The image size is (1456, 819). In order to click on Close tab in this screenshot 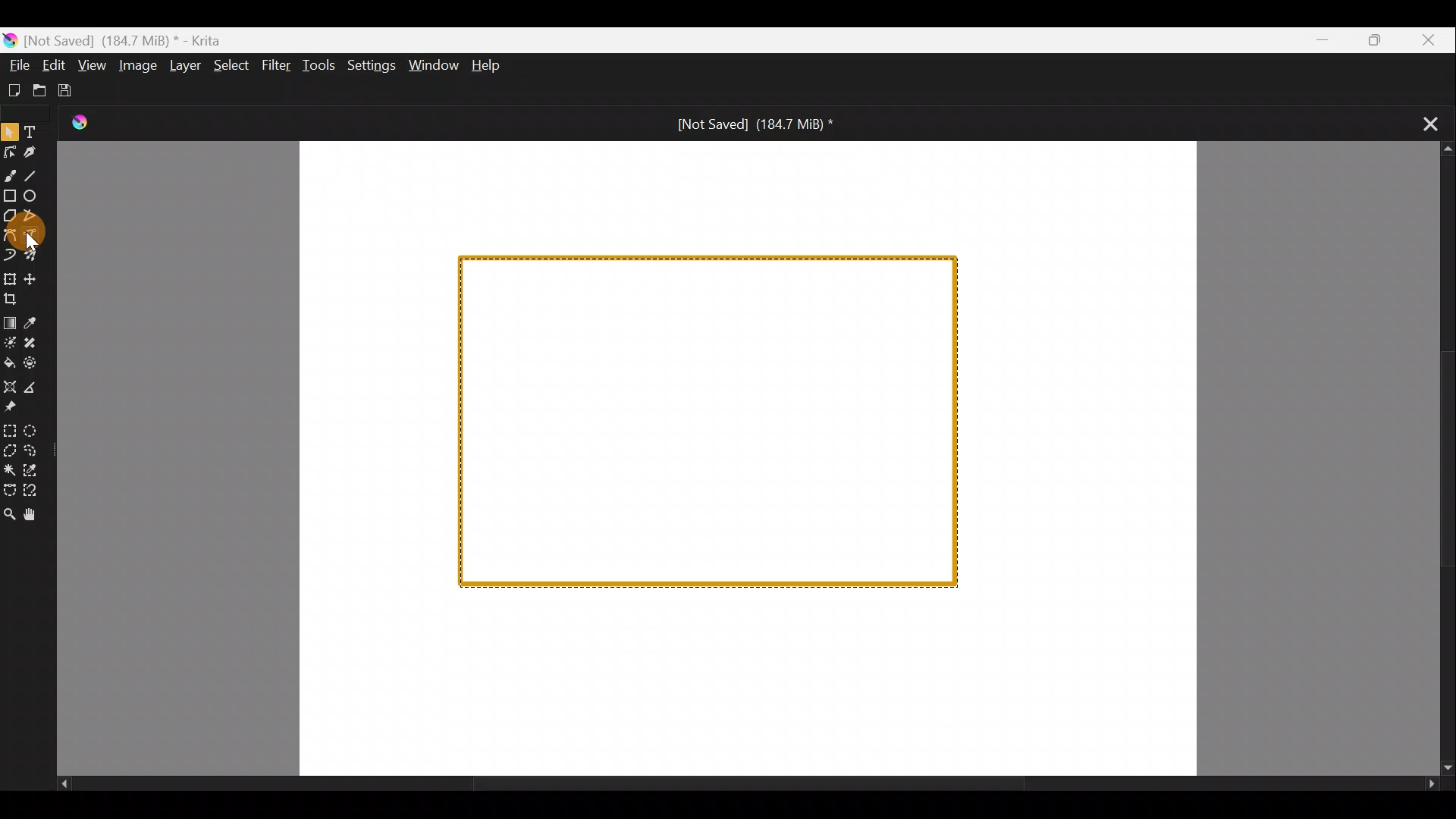, I will do `click(1420, 127)`.